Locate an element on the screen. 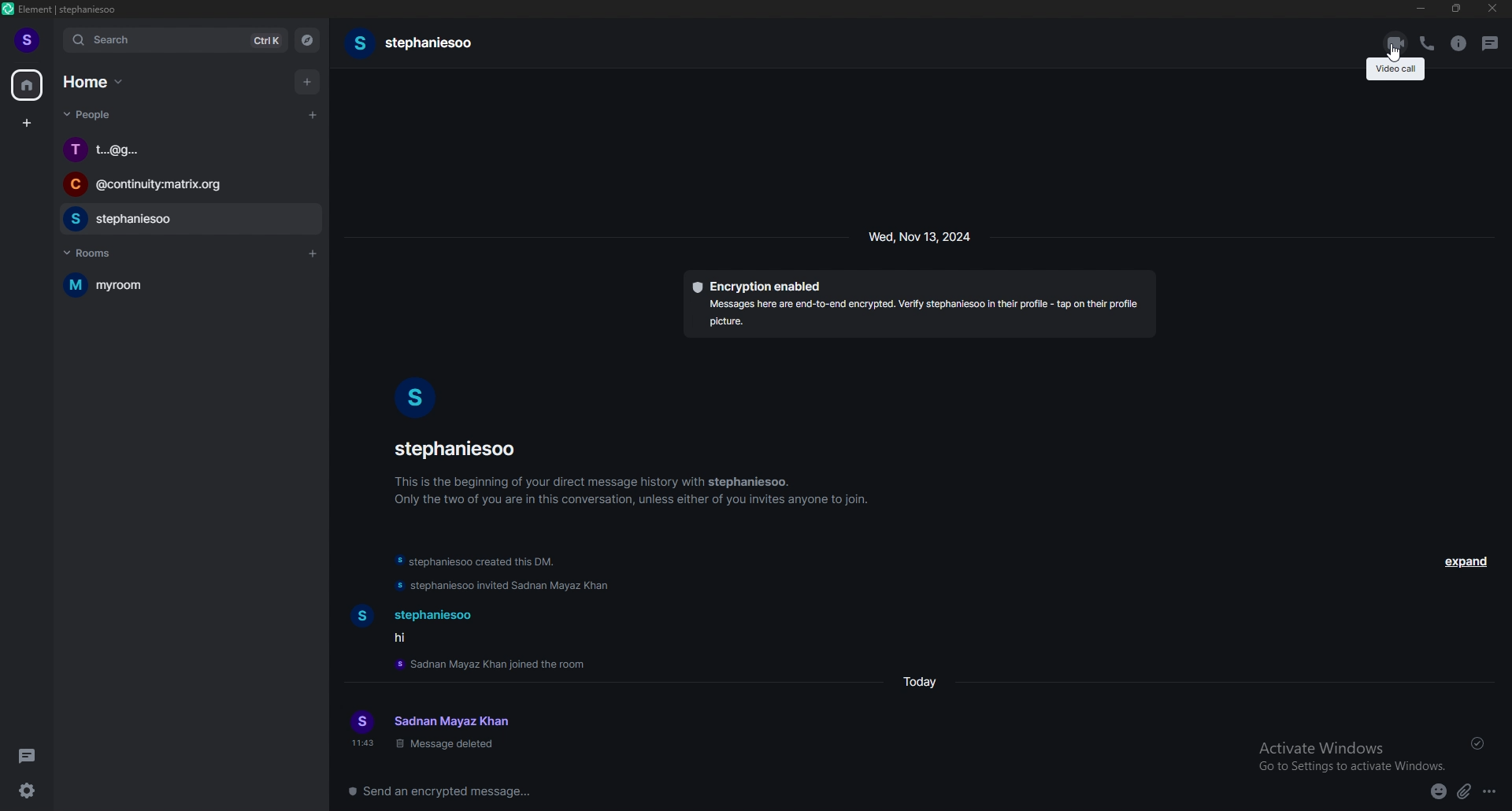 This screenshot has width=1512, height=811. search bar is located at coordinates (175, 41).